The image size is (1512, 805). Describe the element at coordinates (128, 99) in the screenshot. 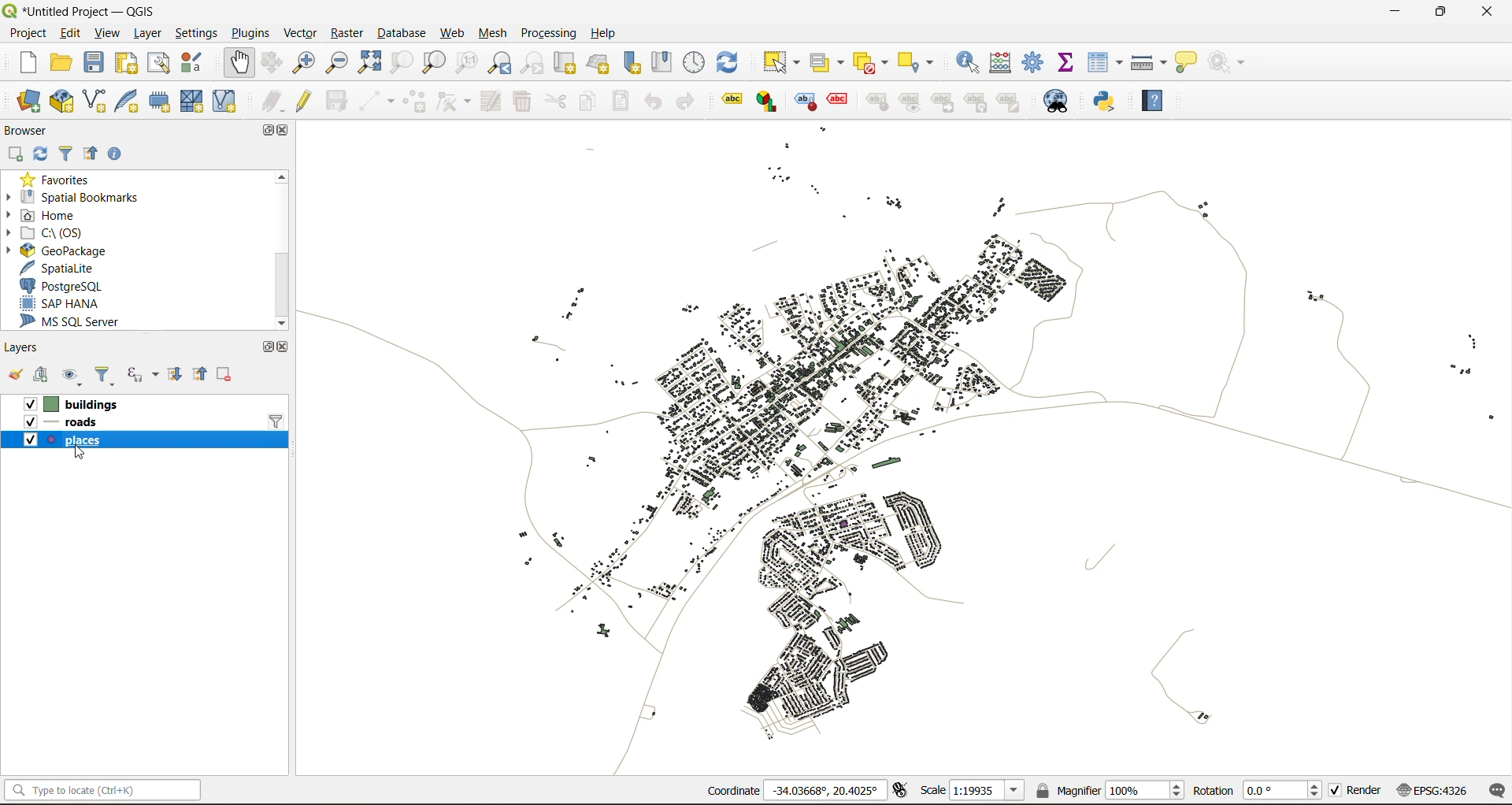

I see `new spatialite` at that location.